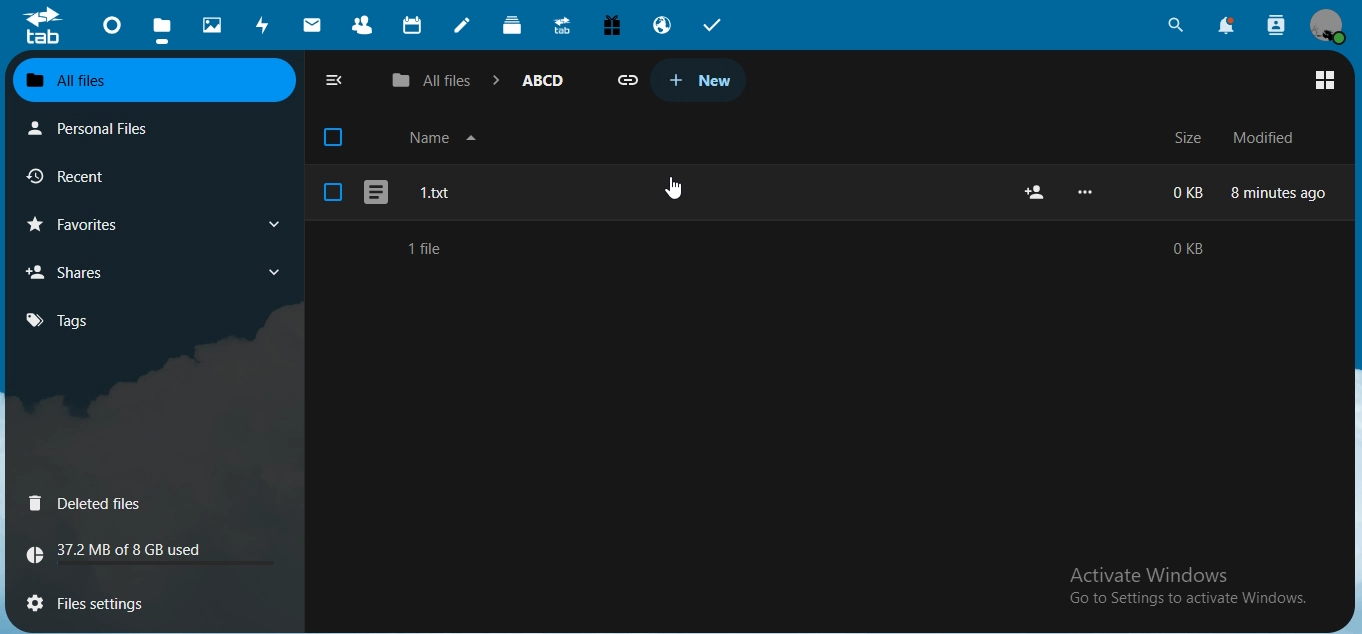 The image size is (1362, 634). I want to click on search contacts, so click(1273, 24).